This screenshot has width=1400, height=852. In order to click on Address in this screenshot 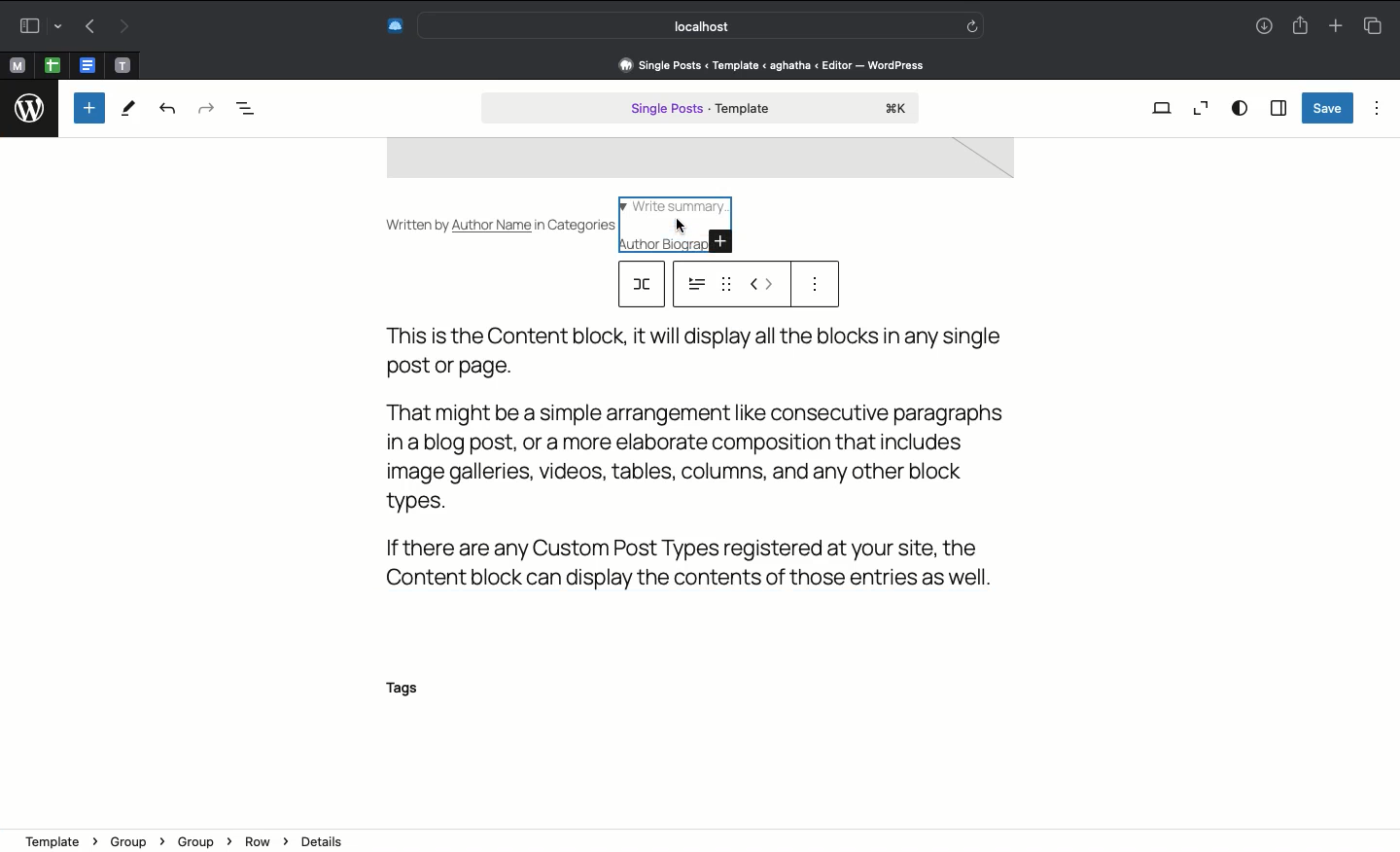, I will do `click(769, 64)`.